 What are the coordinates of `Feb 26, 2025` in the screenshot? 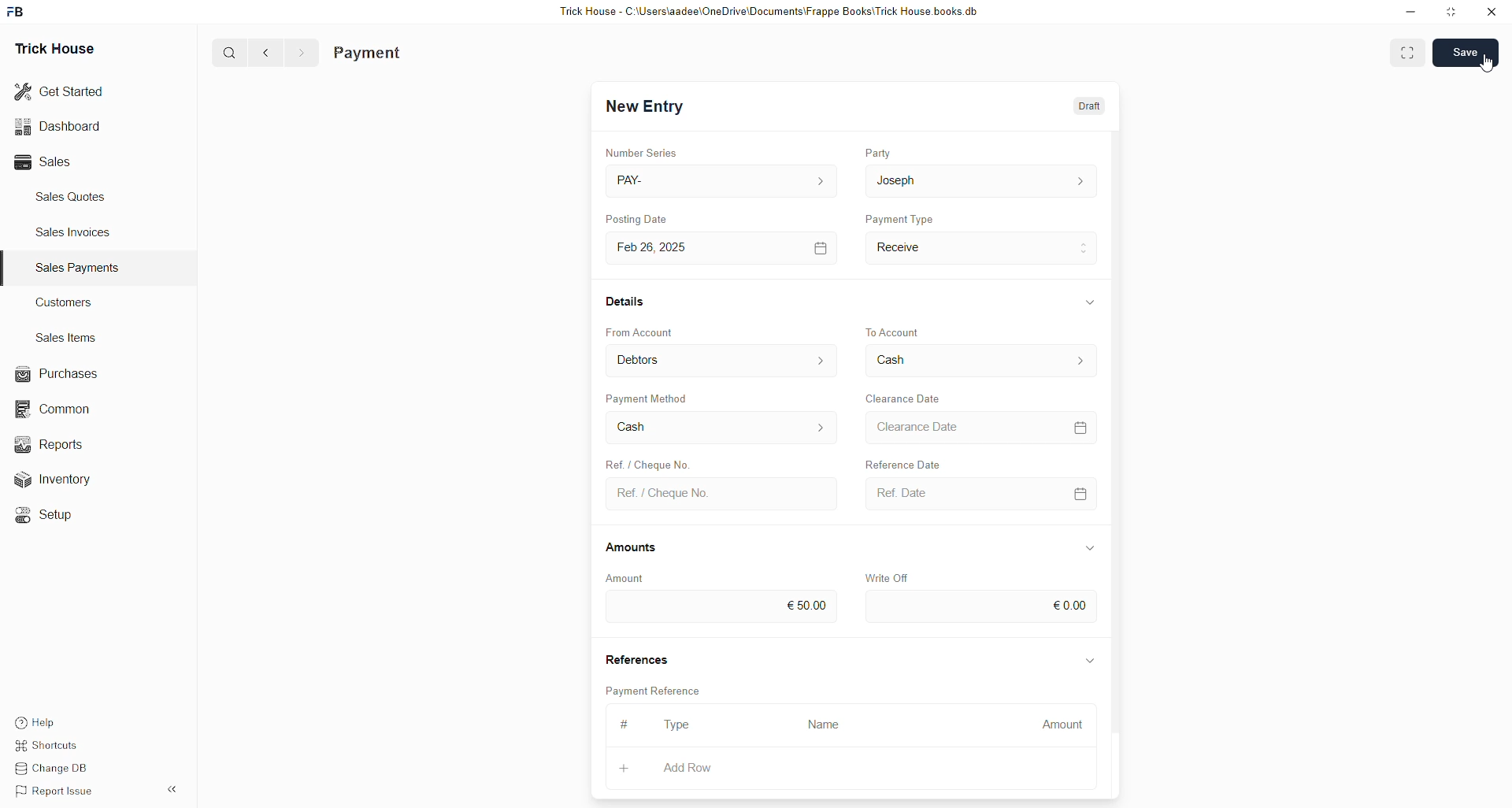 It's located at (725, 249).